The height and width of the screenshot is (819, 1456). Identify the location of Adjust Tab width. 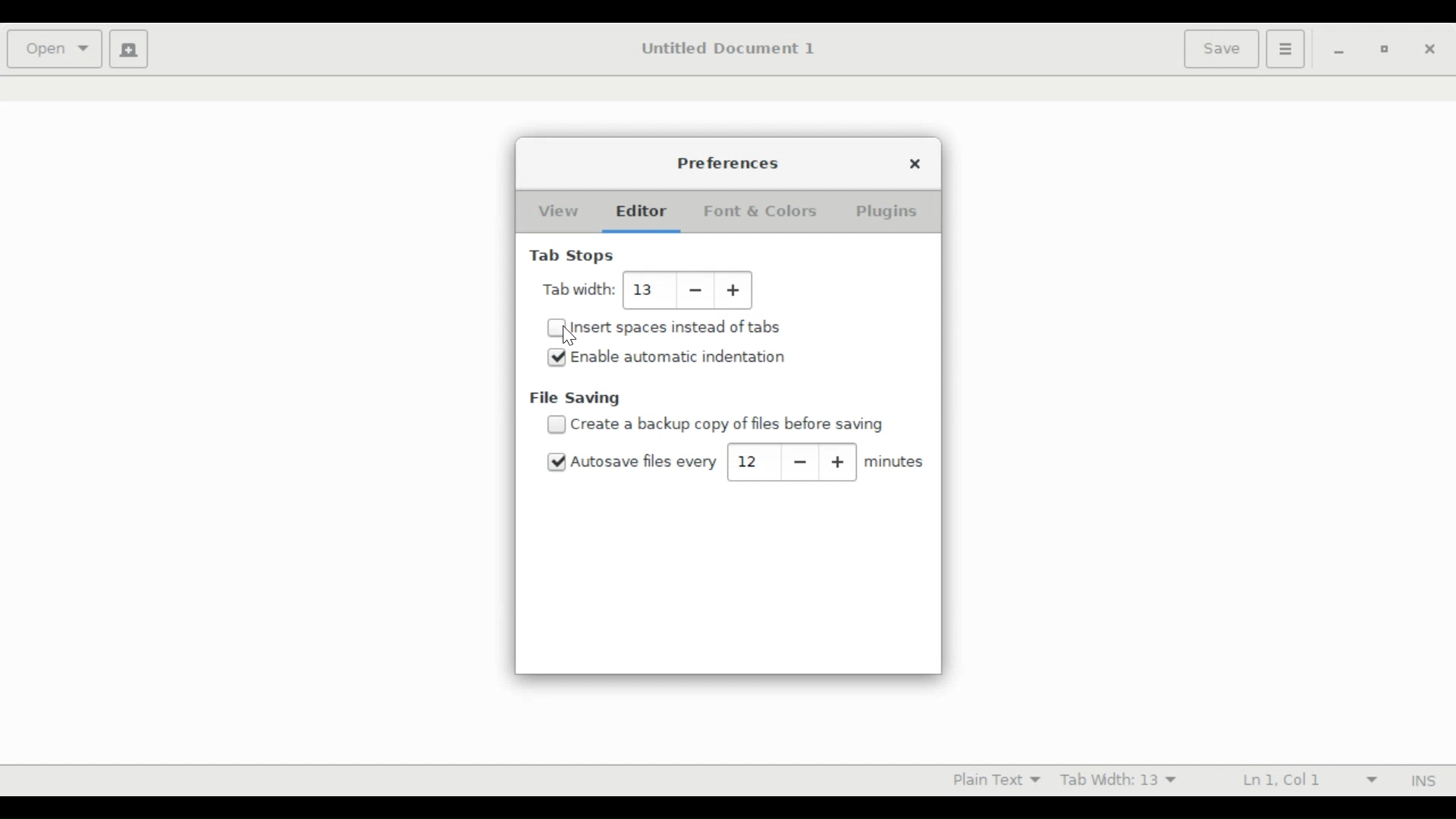
(645, 289).